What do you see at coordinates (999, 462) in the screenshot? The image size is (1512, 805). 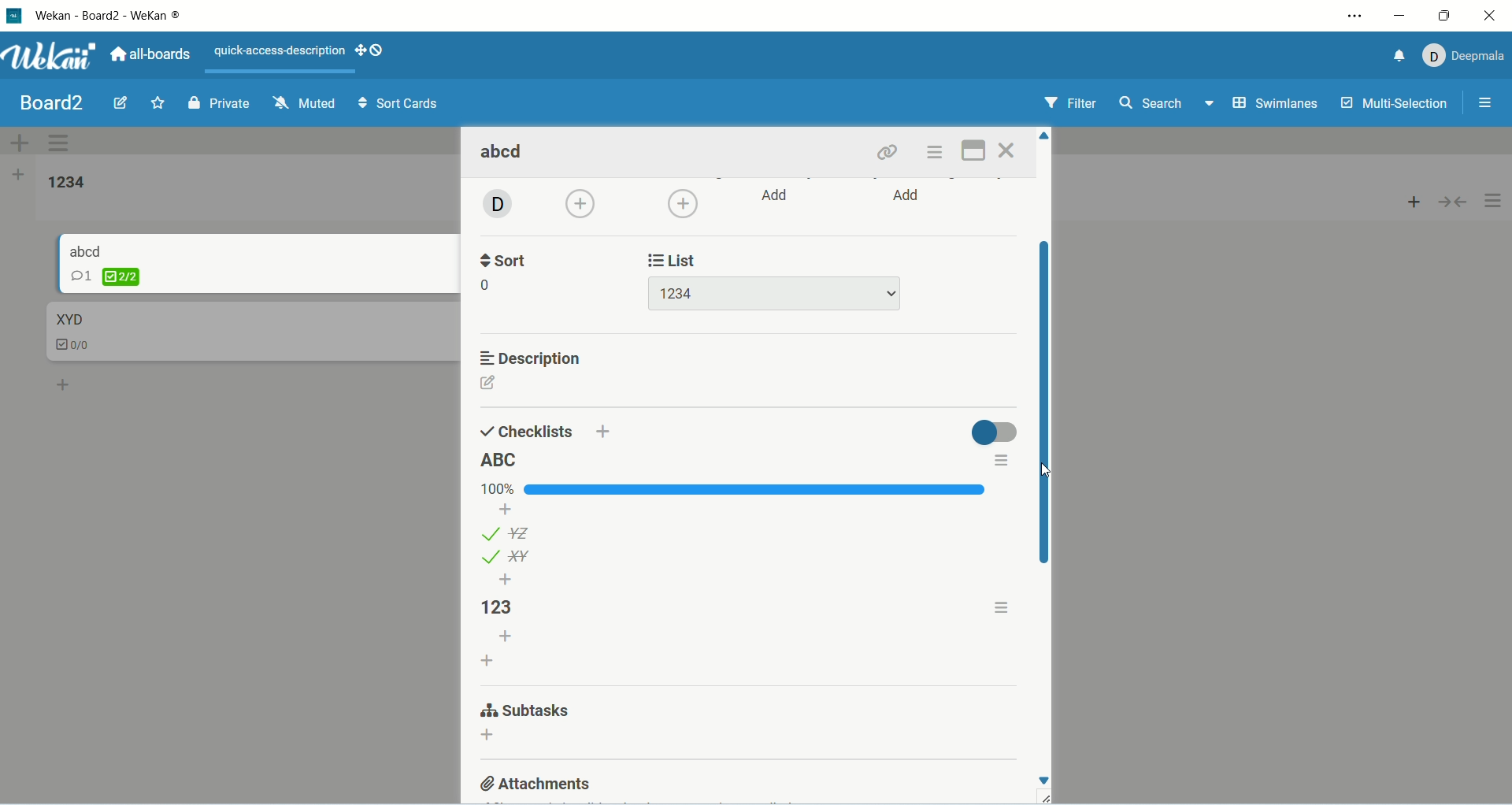 I see `options` at bounding box center [999, 462].